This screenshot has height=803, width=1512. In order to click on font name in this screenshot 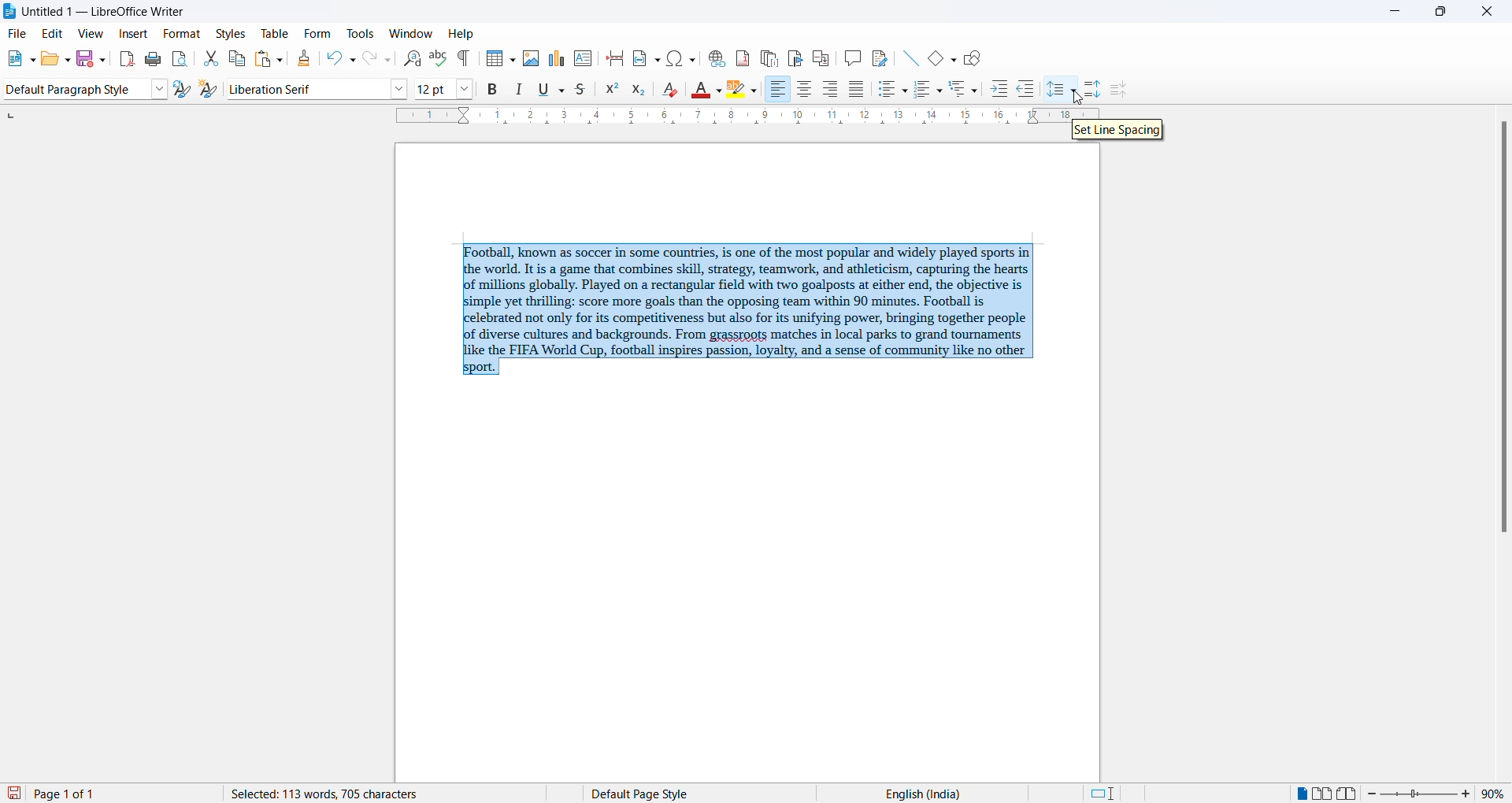, I will do `click(306, 88)`.